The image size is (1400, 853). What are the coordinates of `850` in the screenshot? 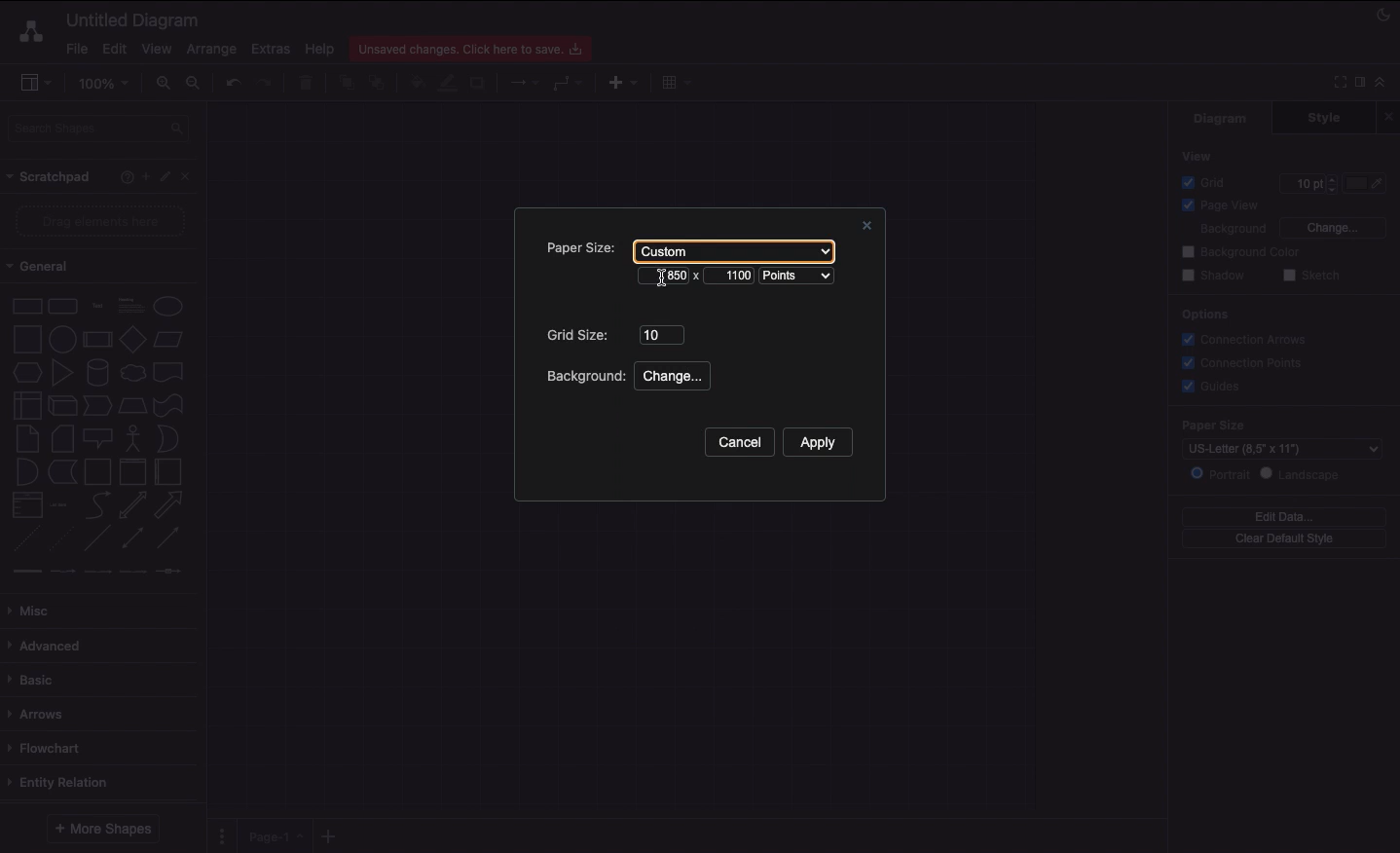 It's located at (670, 279).